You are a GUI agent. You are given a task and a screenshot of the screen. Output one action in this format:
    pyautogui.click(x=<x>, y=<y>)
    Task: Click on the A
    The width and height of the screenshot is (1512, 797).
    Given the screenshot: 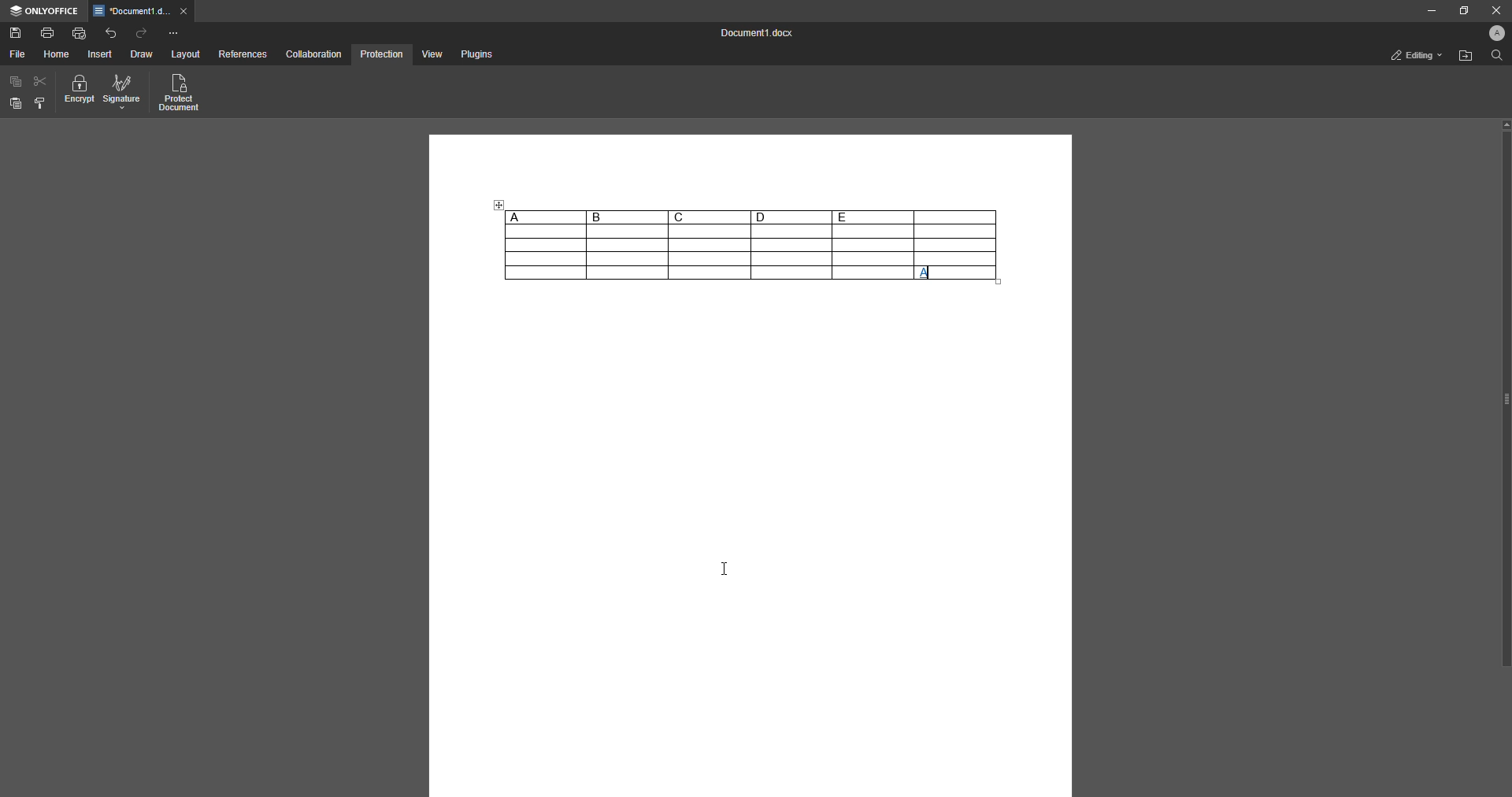 What is the action you would take?
    pyautogui.click(x=544, y=217)
    